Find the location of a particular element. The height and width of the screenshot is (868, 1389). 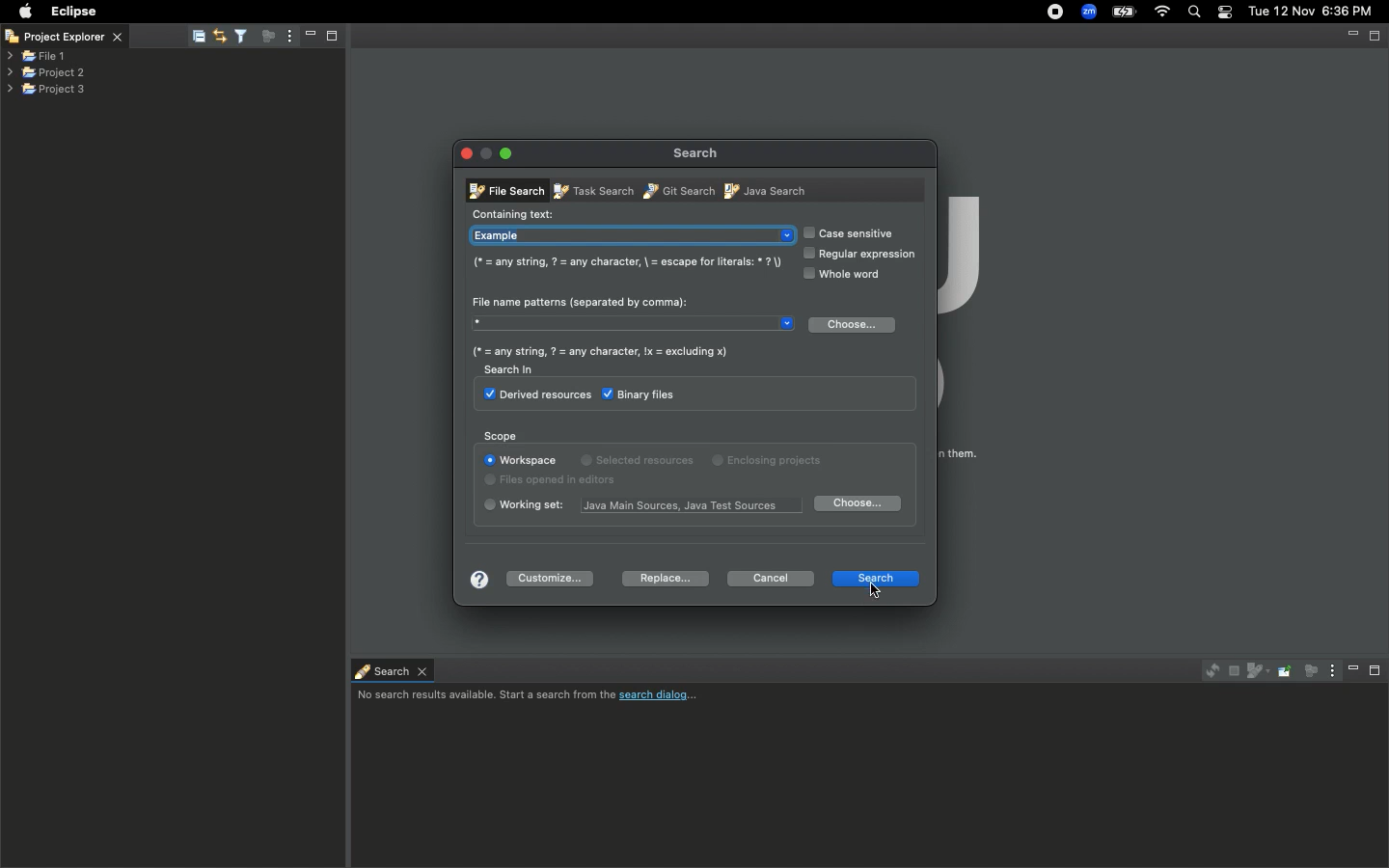

Minimize is located at coordinates (1348, 670).